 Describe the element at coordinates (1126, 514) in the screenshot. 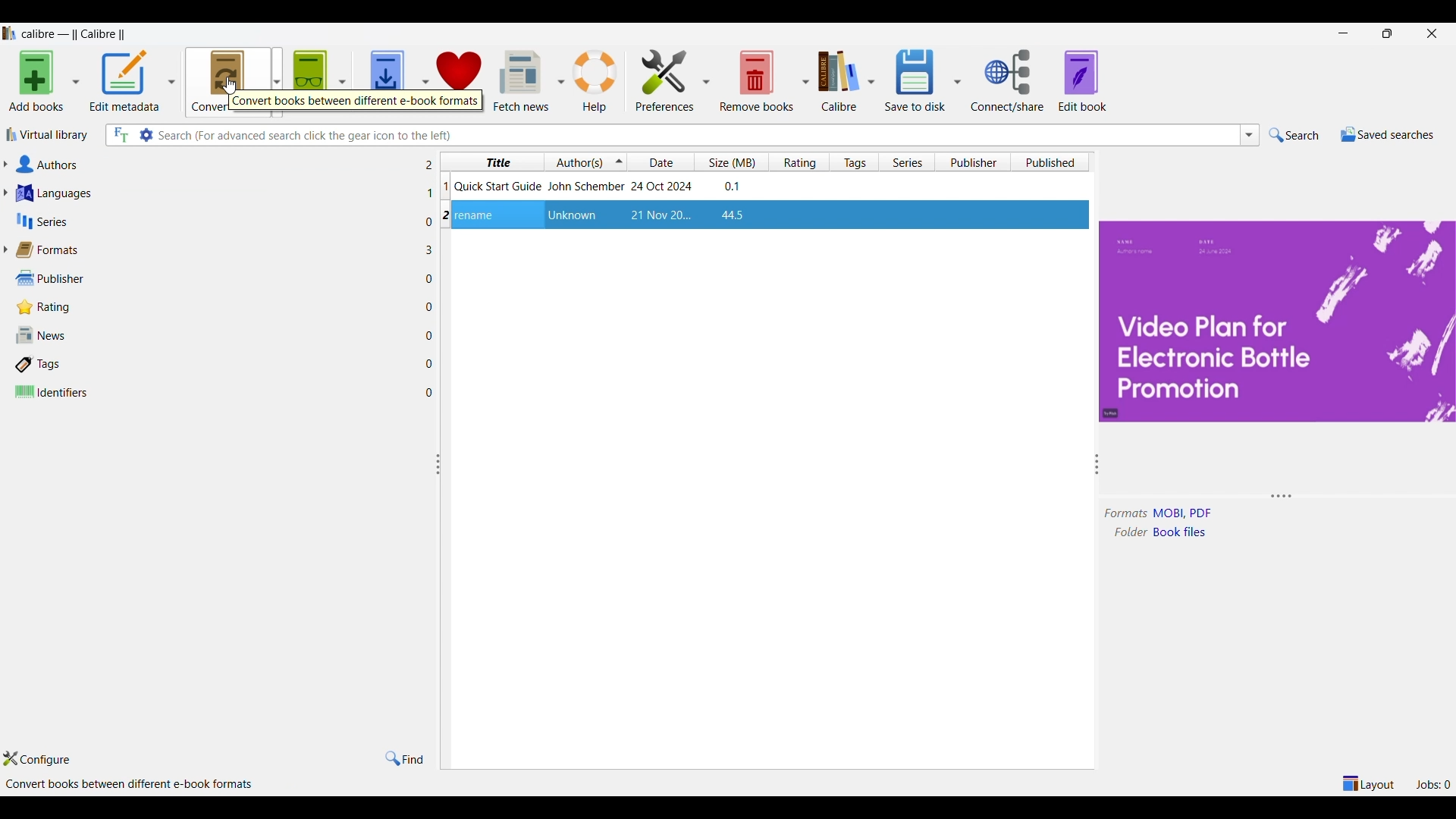

I see `formats` at that location.